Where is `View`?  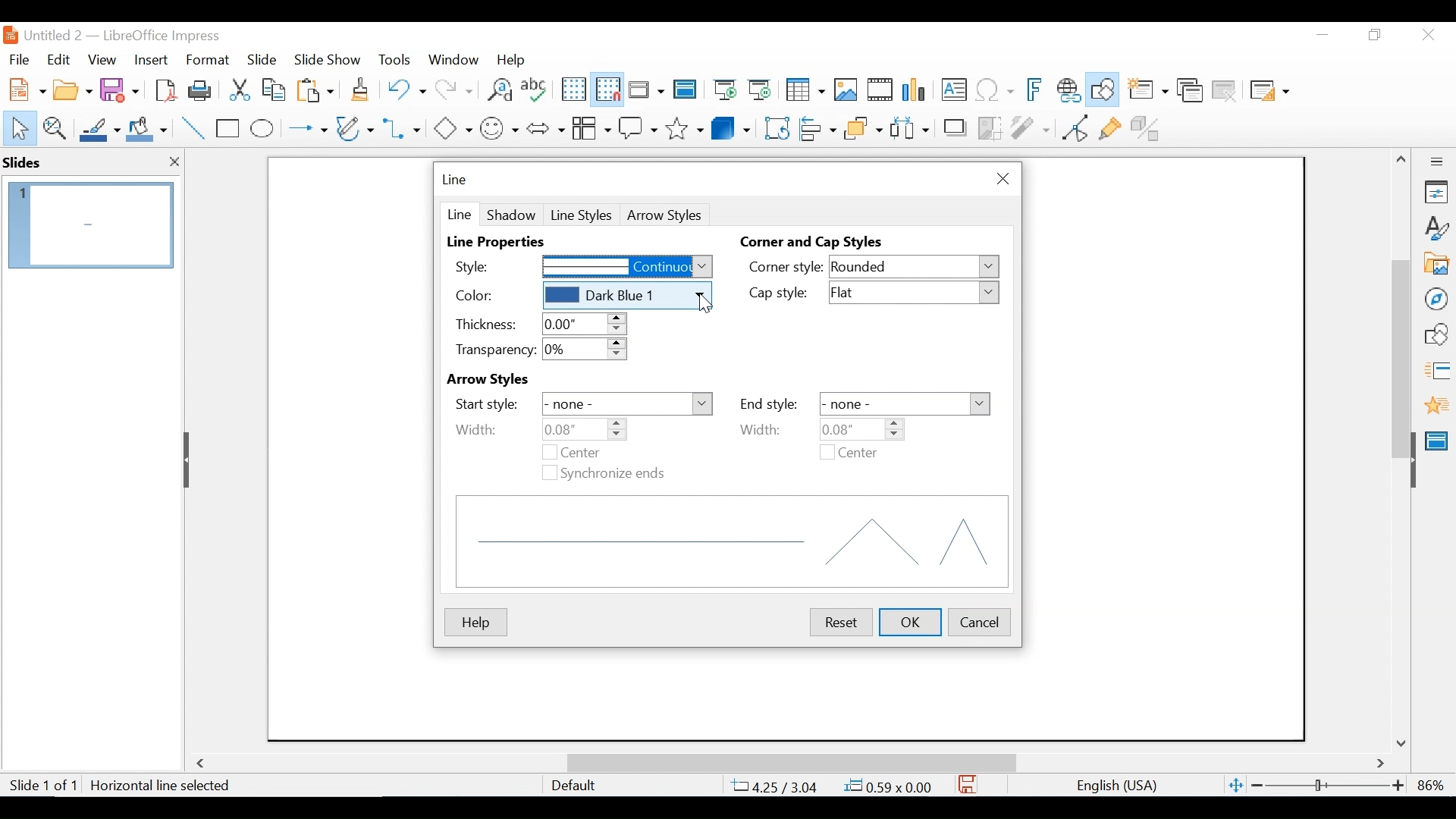
View is located at coordinates (102, 59).